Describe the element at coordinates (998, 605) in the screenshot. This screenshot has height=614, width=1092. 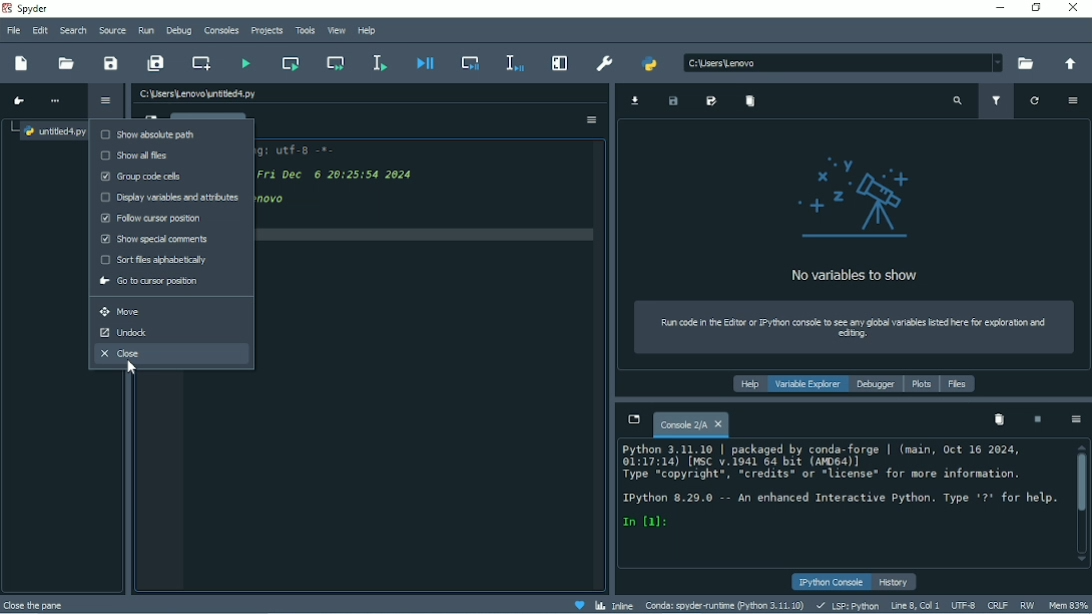
I see `CRLF` at that location.